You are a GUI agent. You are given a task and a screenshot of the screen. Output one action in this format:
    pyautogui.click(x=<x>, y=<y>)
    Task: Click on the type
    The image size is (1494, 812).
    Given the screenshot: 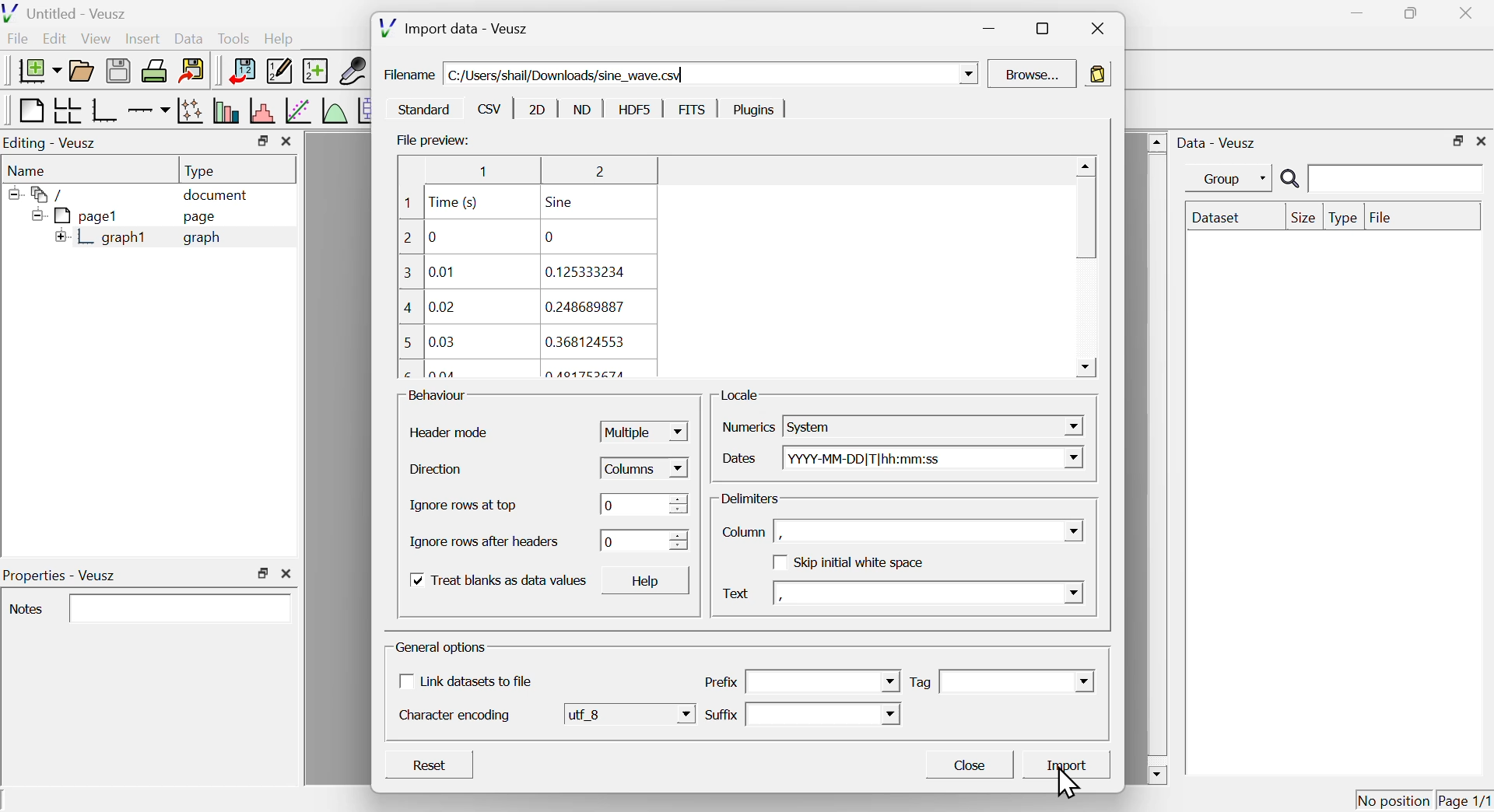 What is the action you would take?
    pyautogui.click(x=1343, y=218)
    